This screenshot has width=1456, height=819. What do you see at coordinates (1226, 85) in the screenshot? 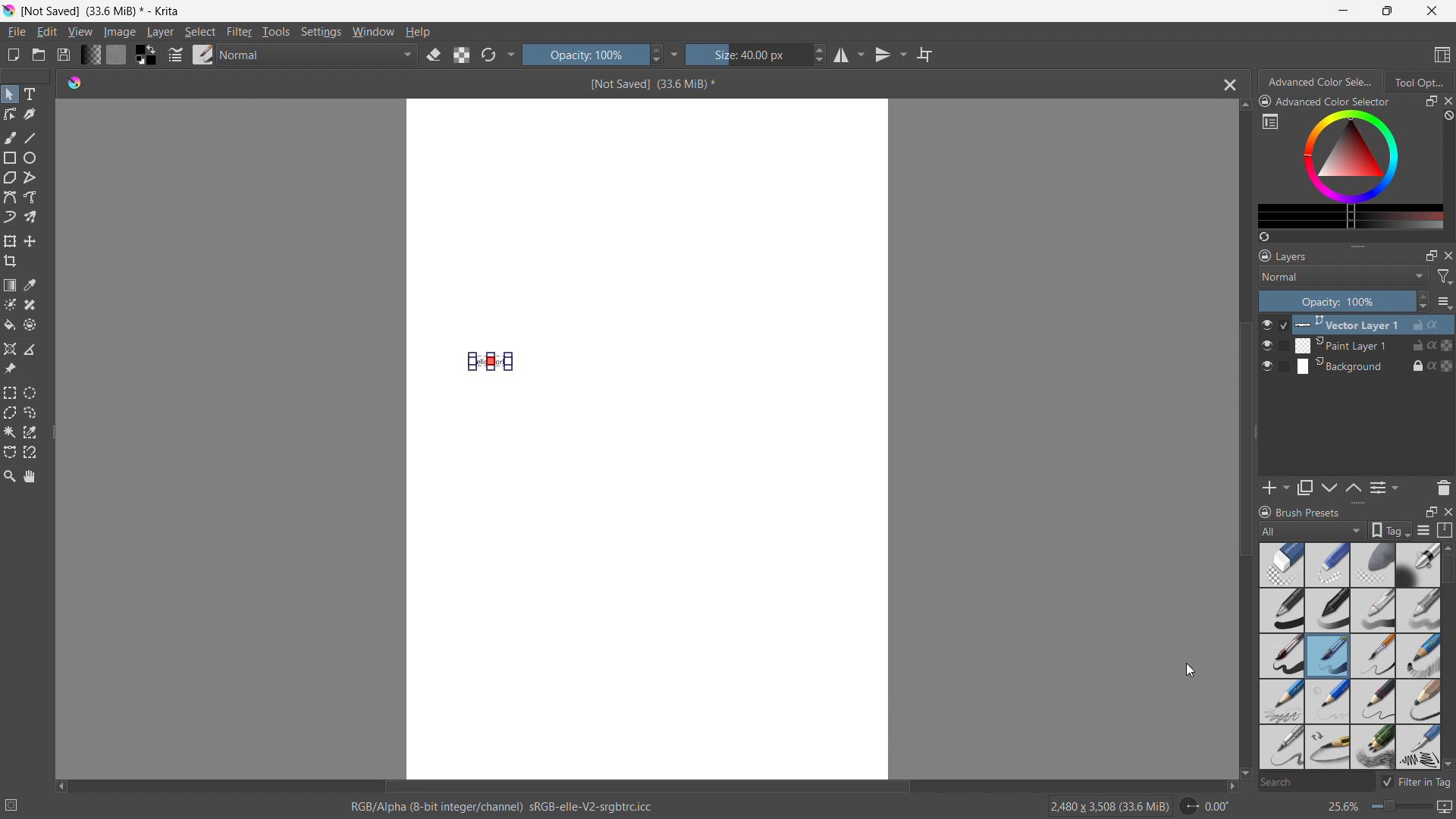
I see `close document` at bounding box center [1226, 85].